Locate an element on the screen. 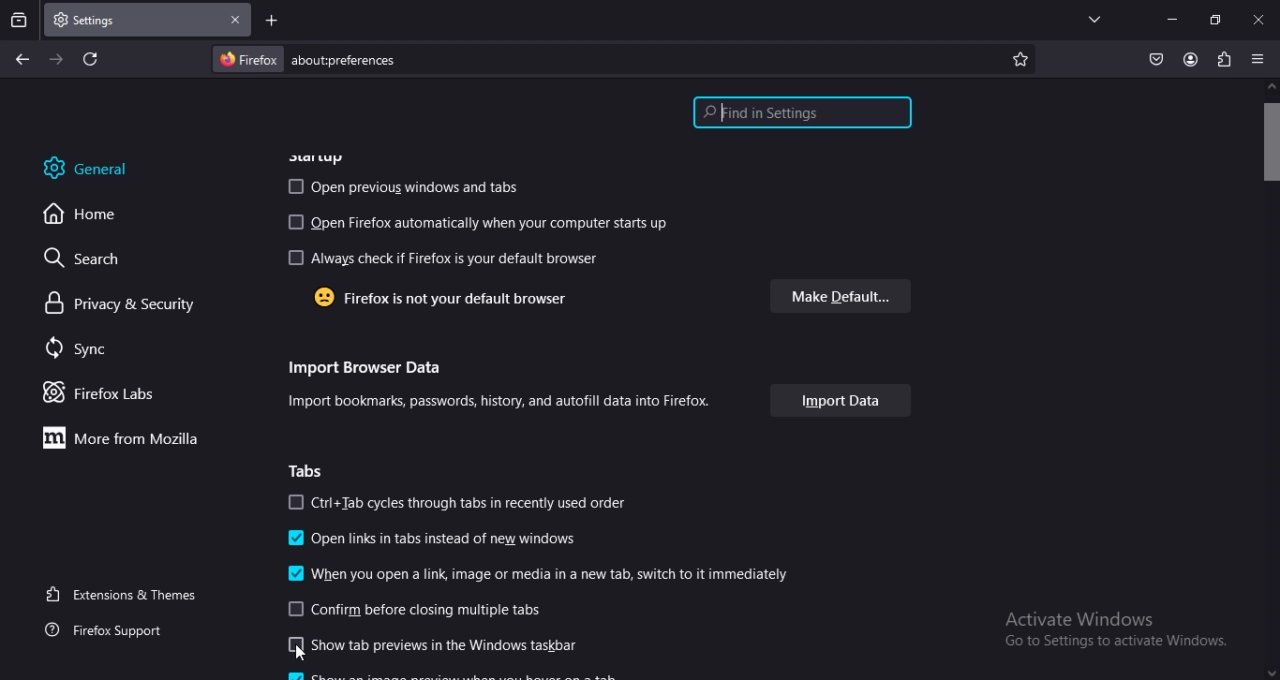  tabs is located at coordinates (314, 470).